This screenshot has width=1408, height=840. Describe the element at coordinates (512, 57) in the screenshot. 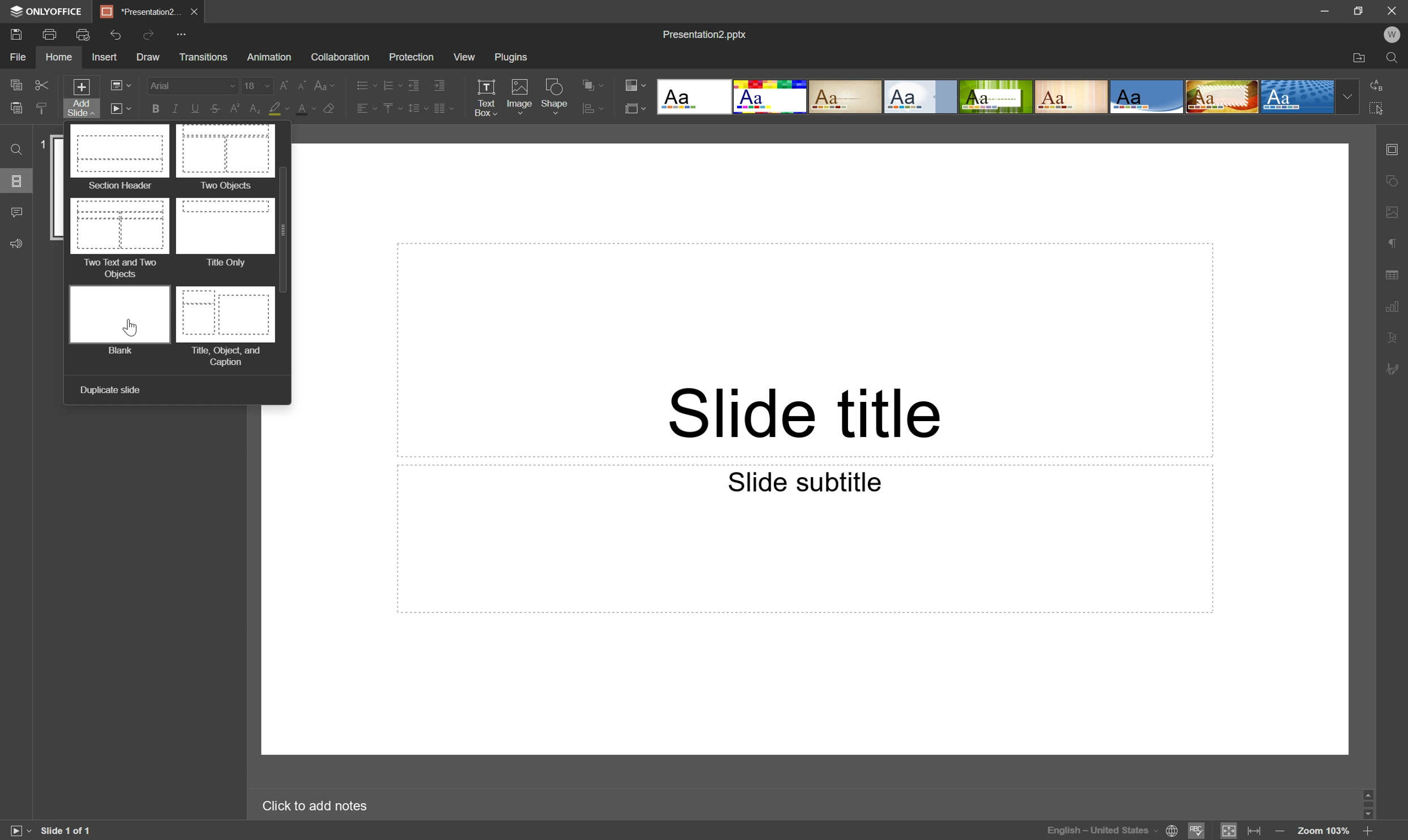

I see `Plugins` at that location.